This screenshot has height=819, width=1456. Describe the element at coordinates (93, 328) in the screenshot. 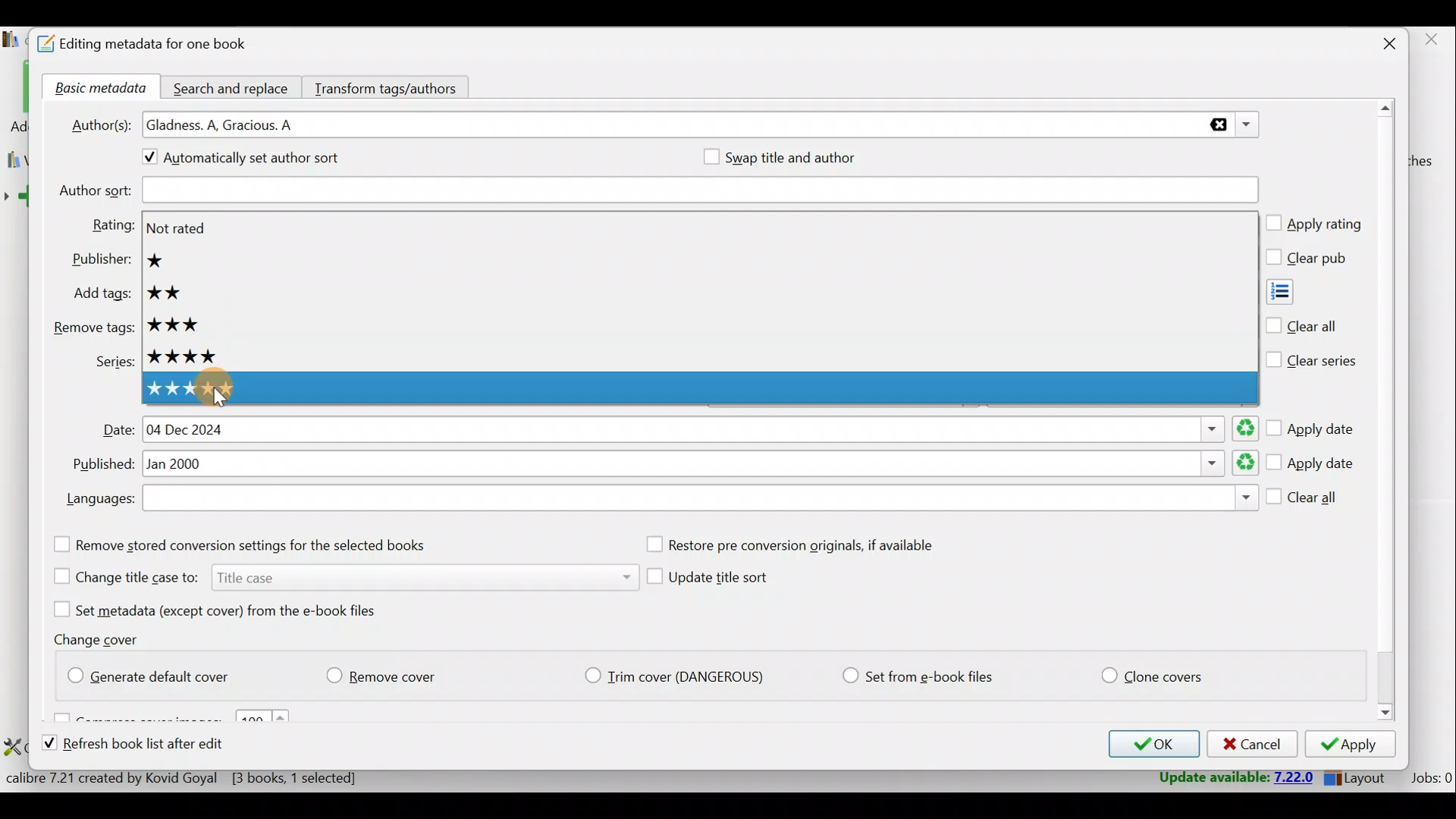

I see `Remove tags:` at that location.